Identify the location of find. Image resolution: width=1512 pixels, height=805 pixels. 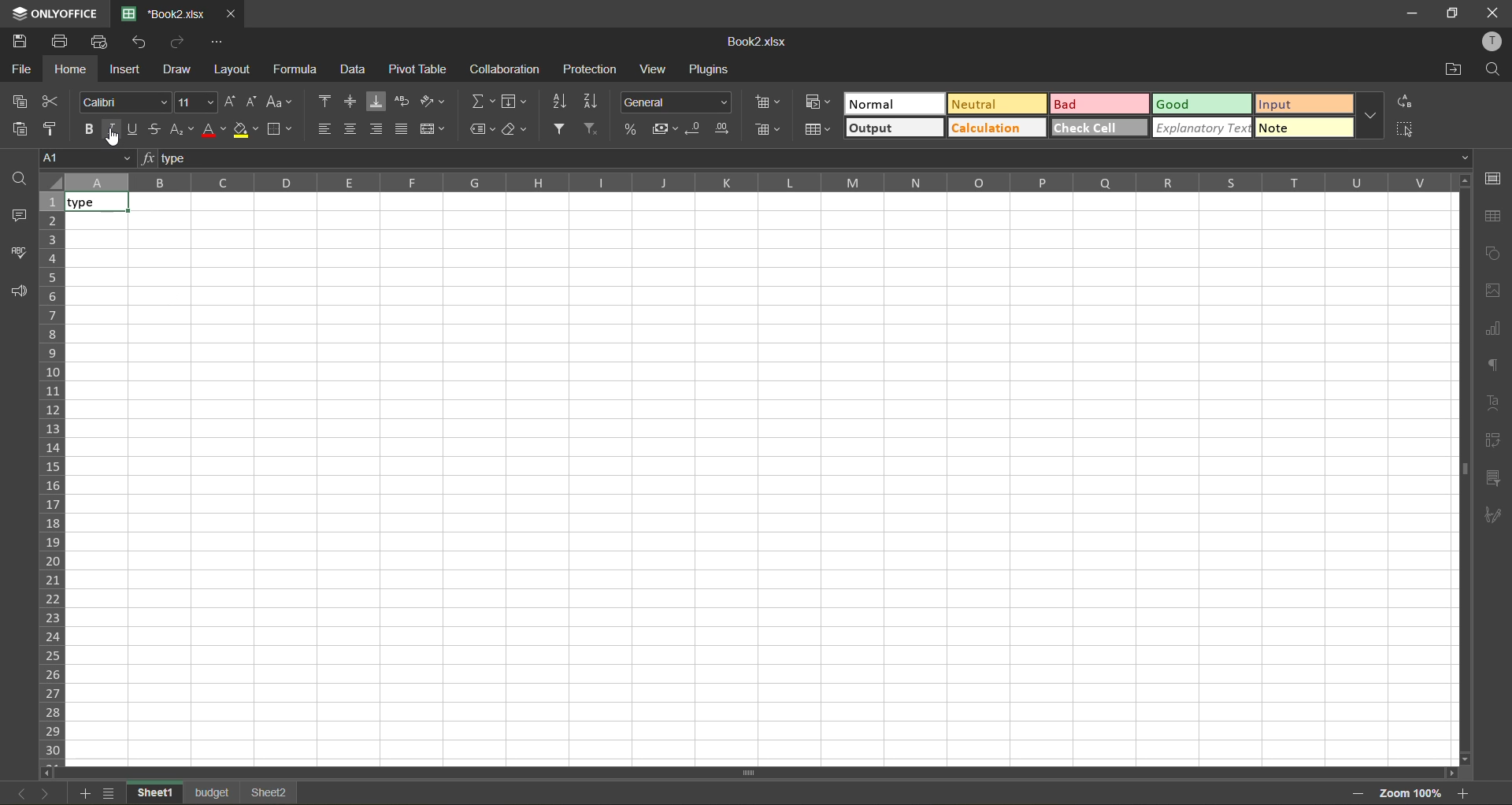
(1495, 69).